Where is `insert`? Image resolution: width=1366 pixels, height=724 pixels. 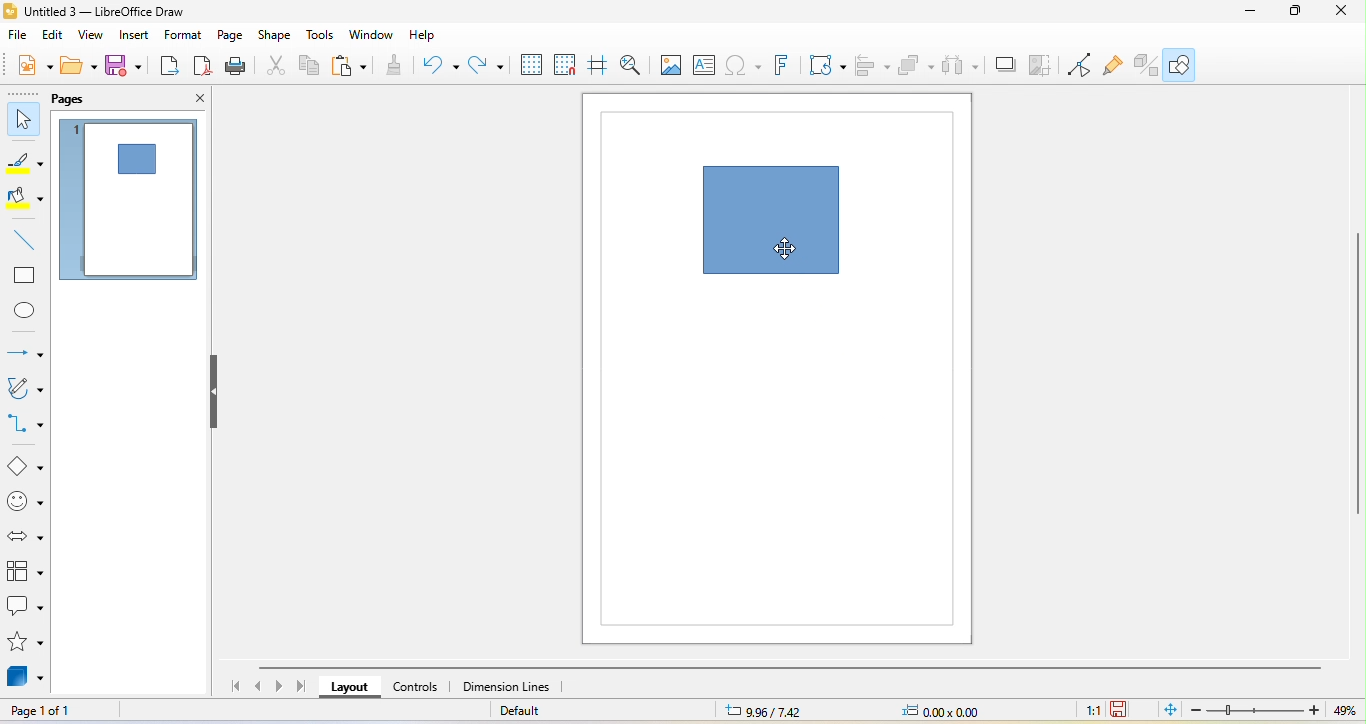
insert is located at coordinates (140, 38).